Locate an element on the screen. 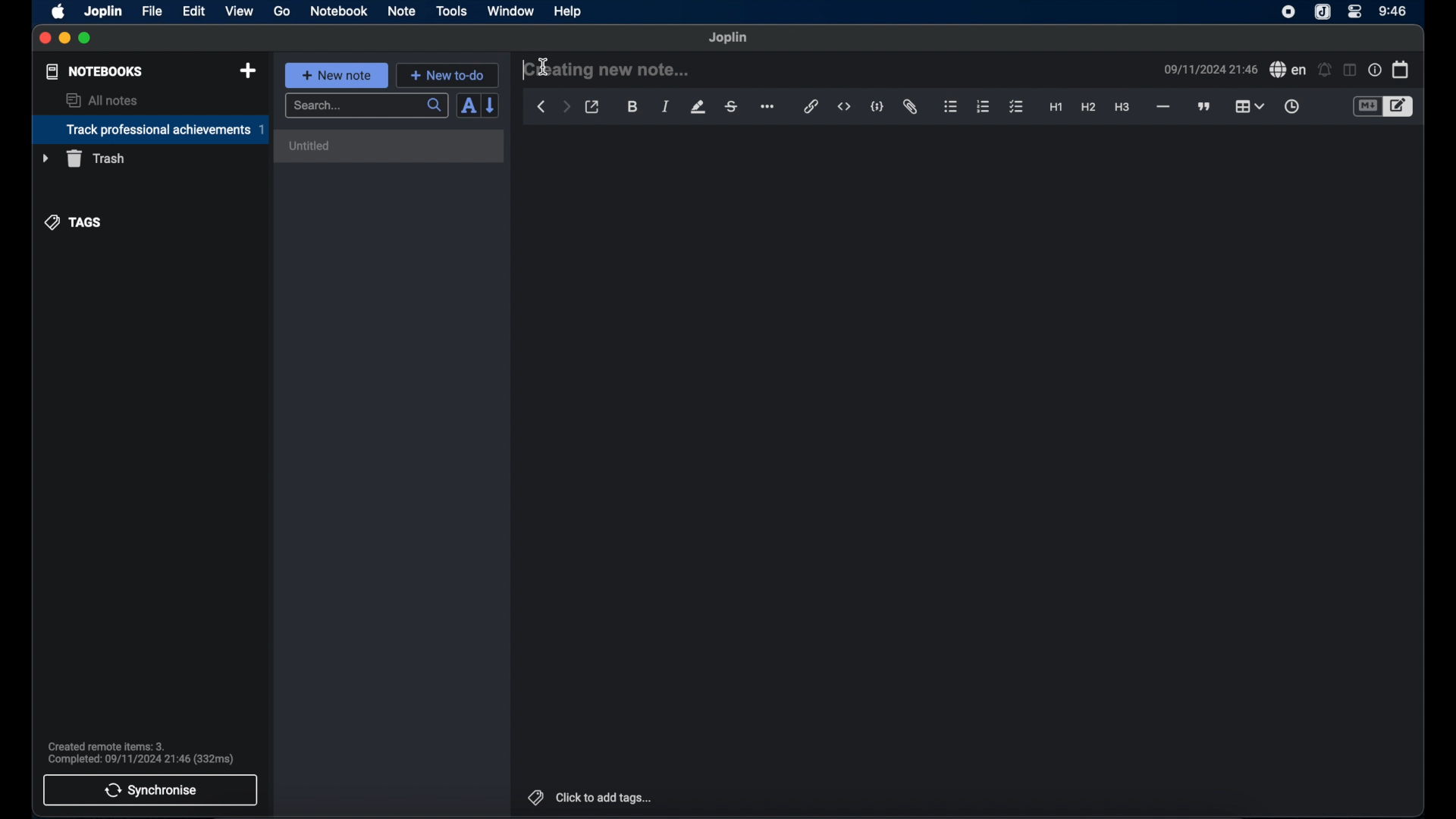 The width and height of the screenshot is (1456, 819). spell check is located at coordinates (1288, 70).